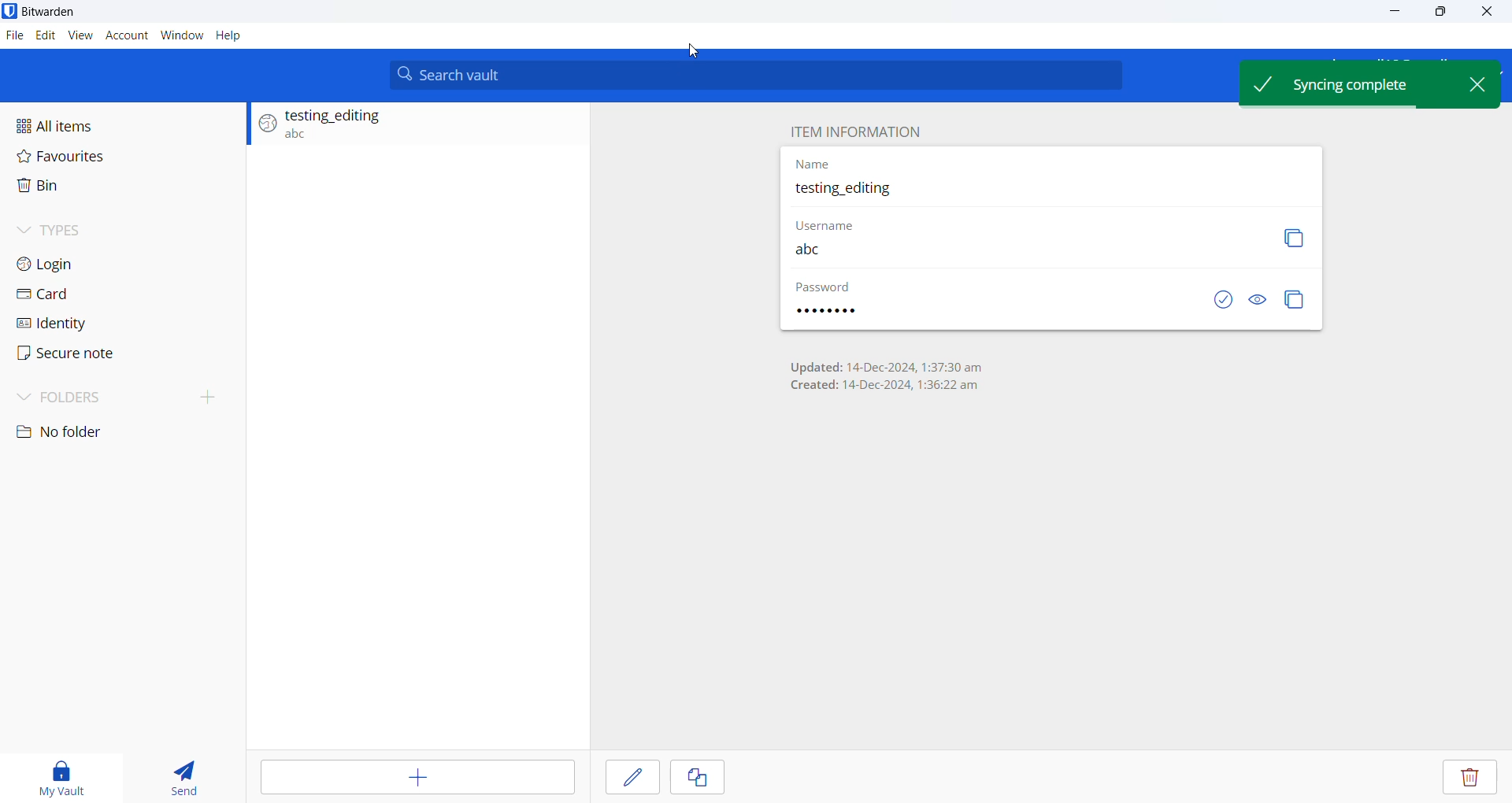  What do you see at coordinates (1047, 189) in the screenshot?
I see `Updated entry name` at bounding box center [1047, 189].